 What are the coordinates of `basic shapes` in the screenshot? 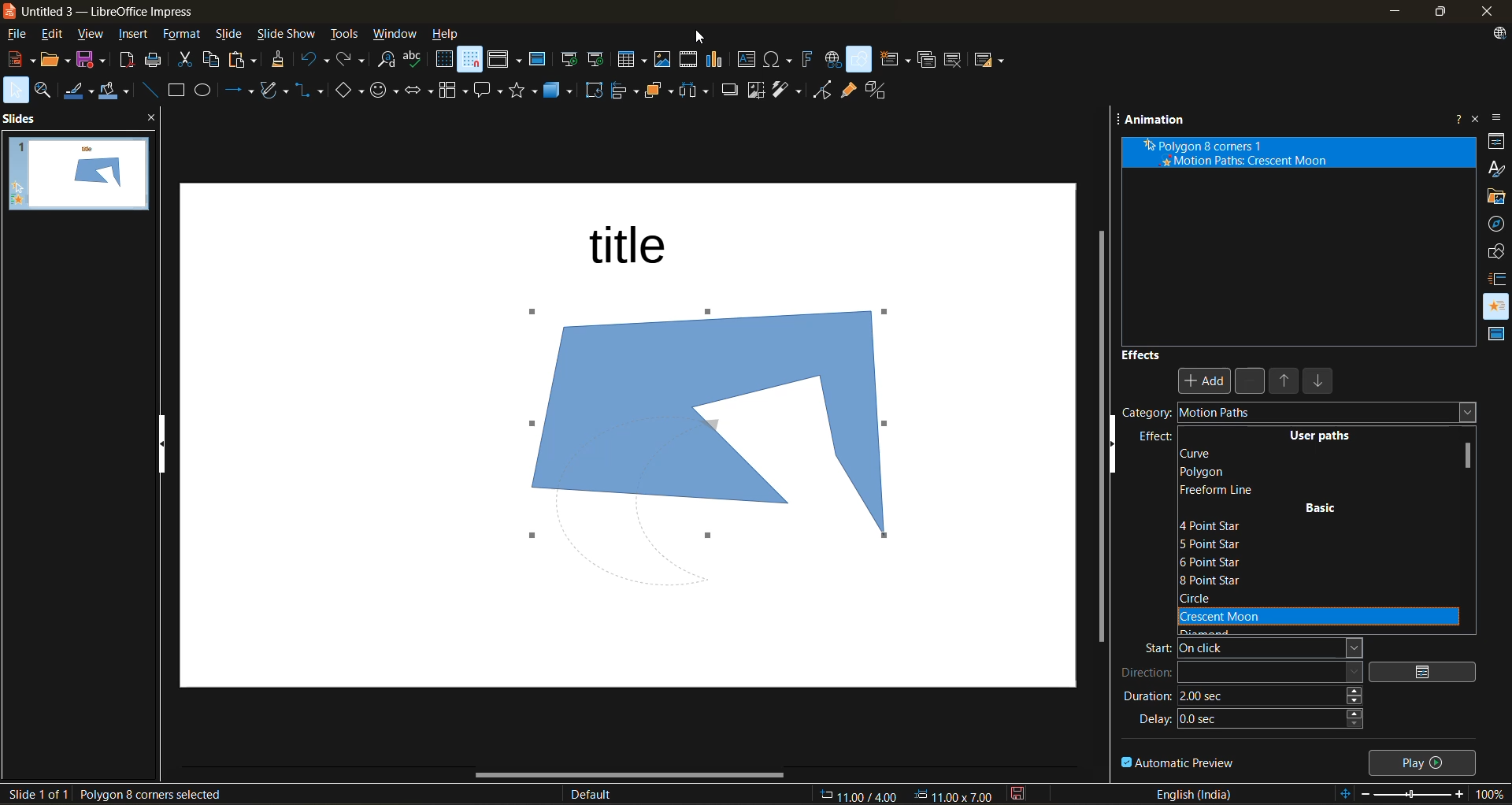 It's located at (352, 95).